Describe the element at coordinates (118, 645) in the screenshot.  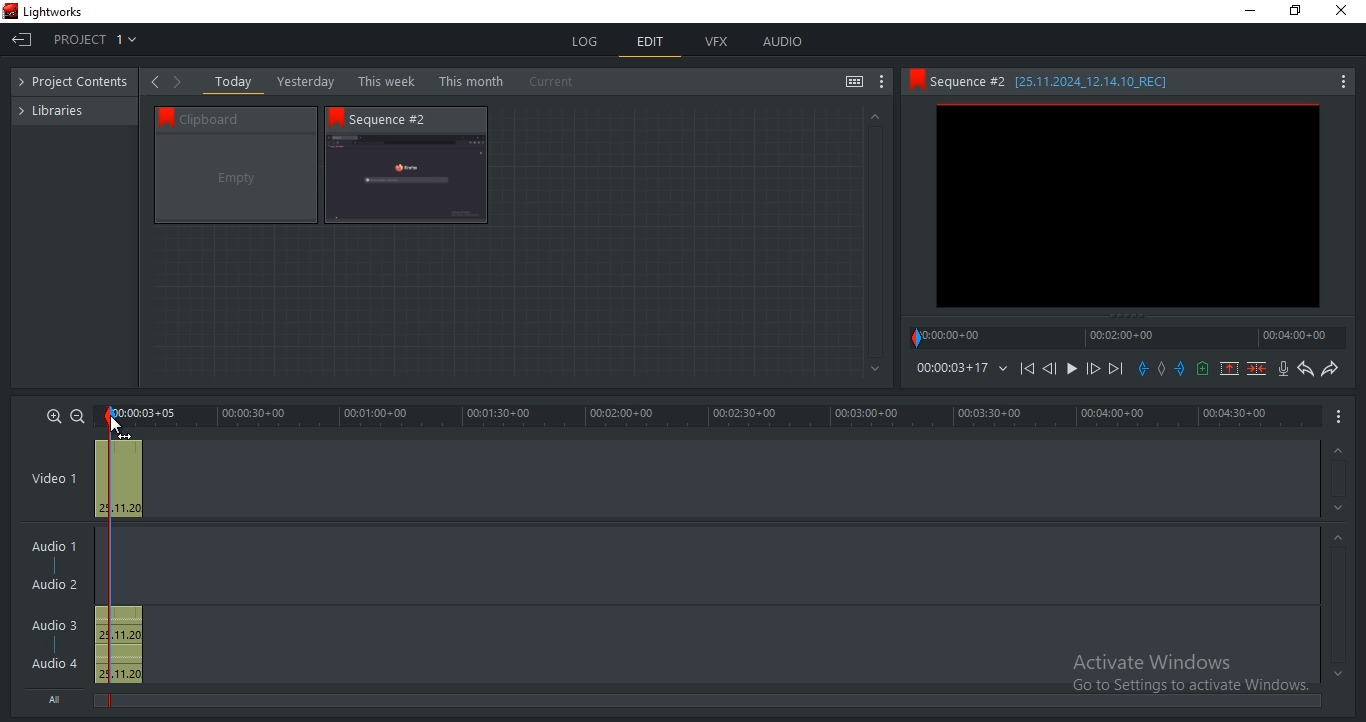
I see `audio` at that location.